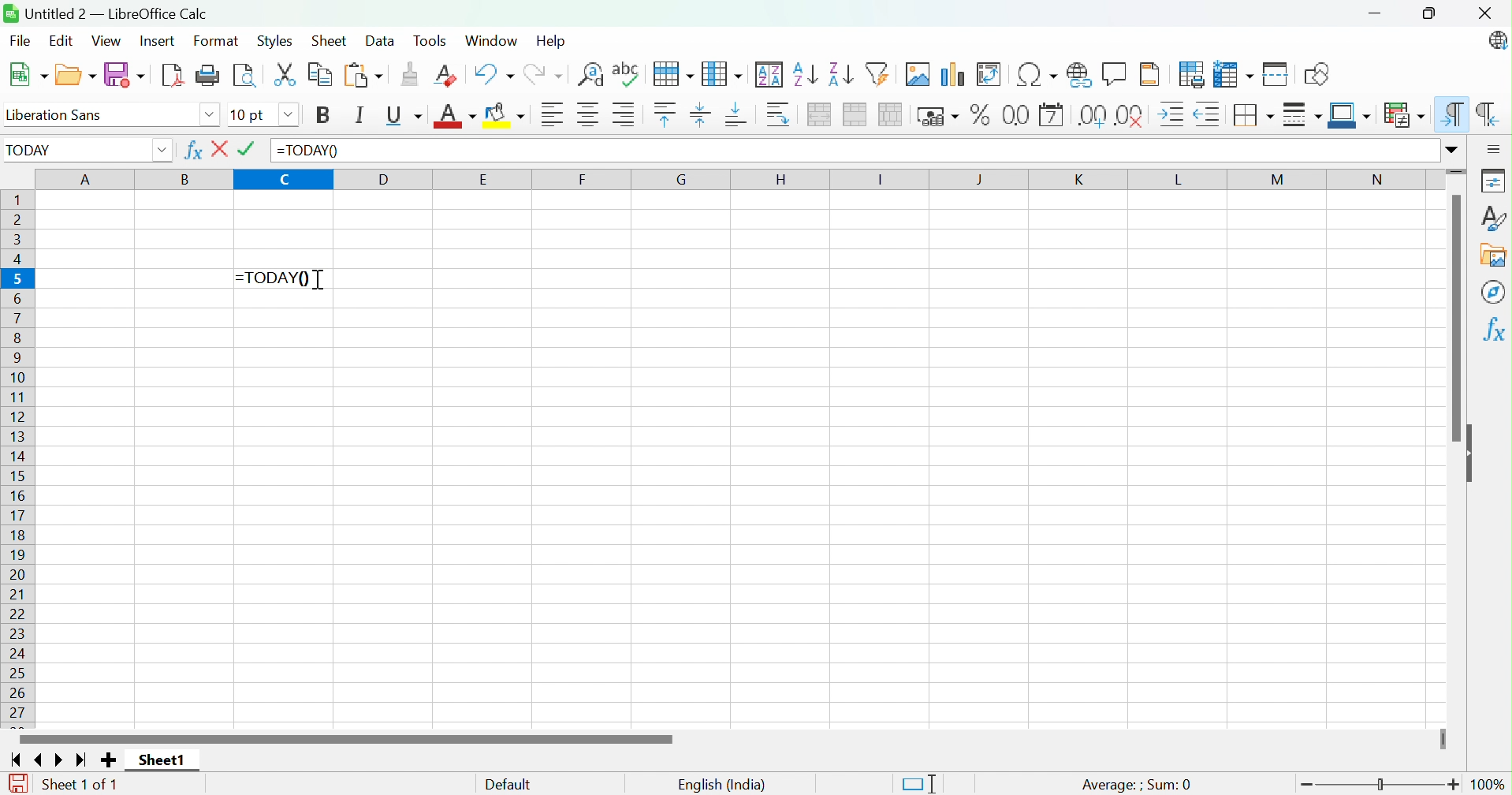 The image size is (1512, 795). Describe the element at coordinates (1403, 114) in the screenshot. I see `Conditional` at that location.